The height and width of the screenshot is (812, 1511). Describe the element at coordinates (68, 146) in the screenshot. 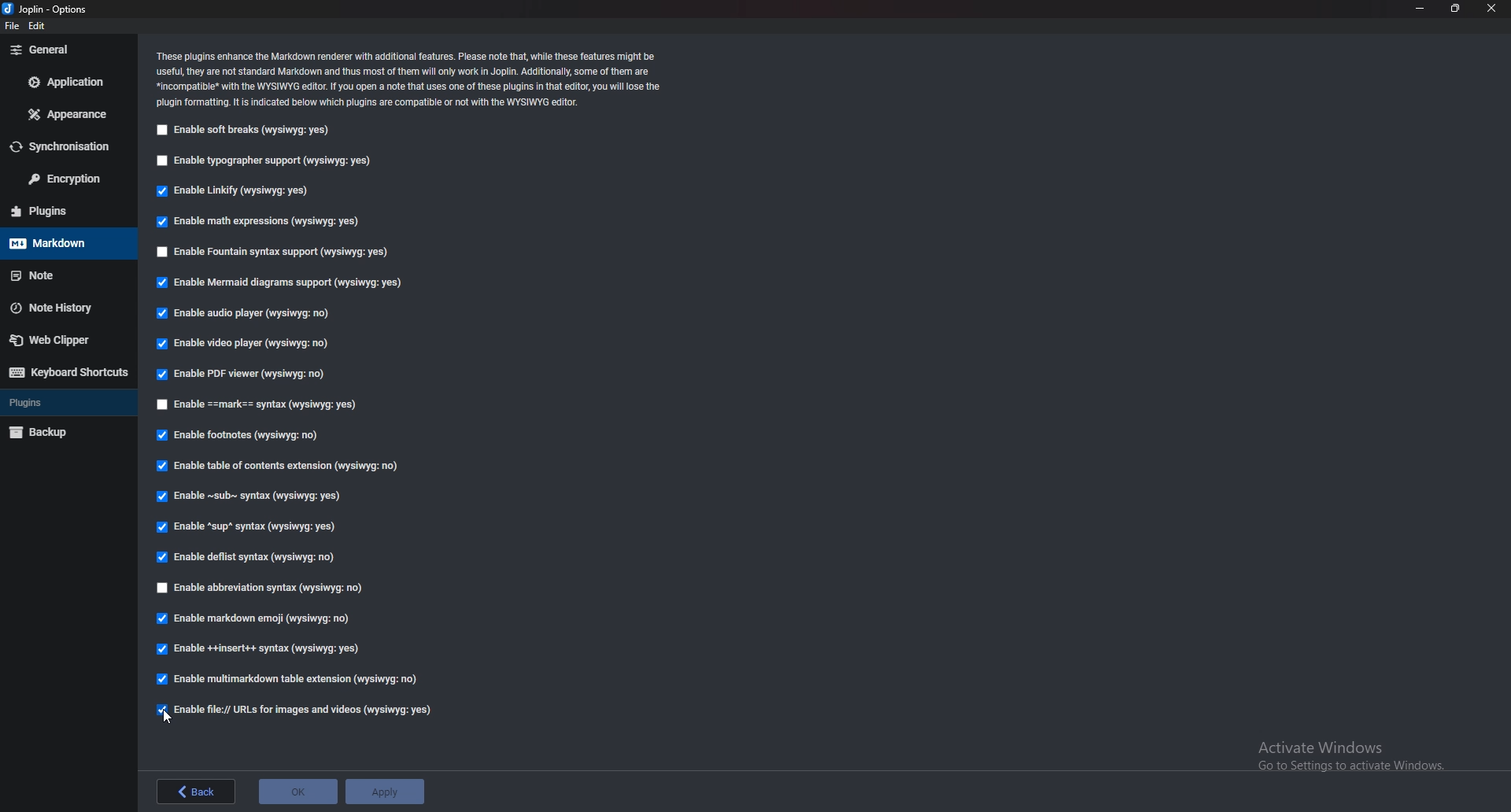

I see `Synchronization` at that location.